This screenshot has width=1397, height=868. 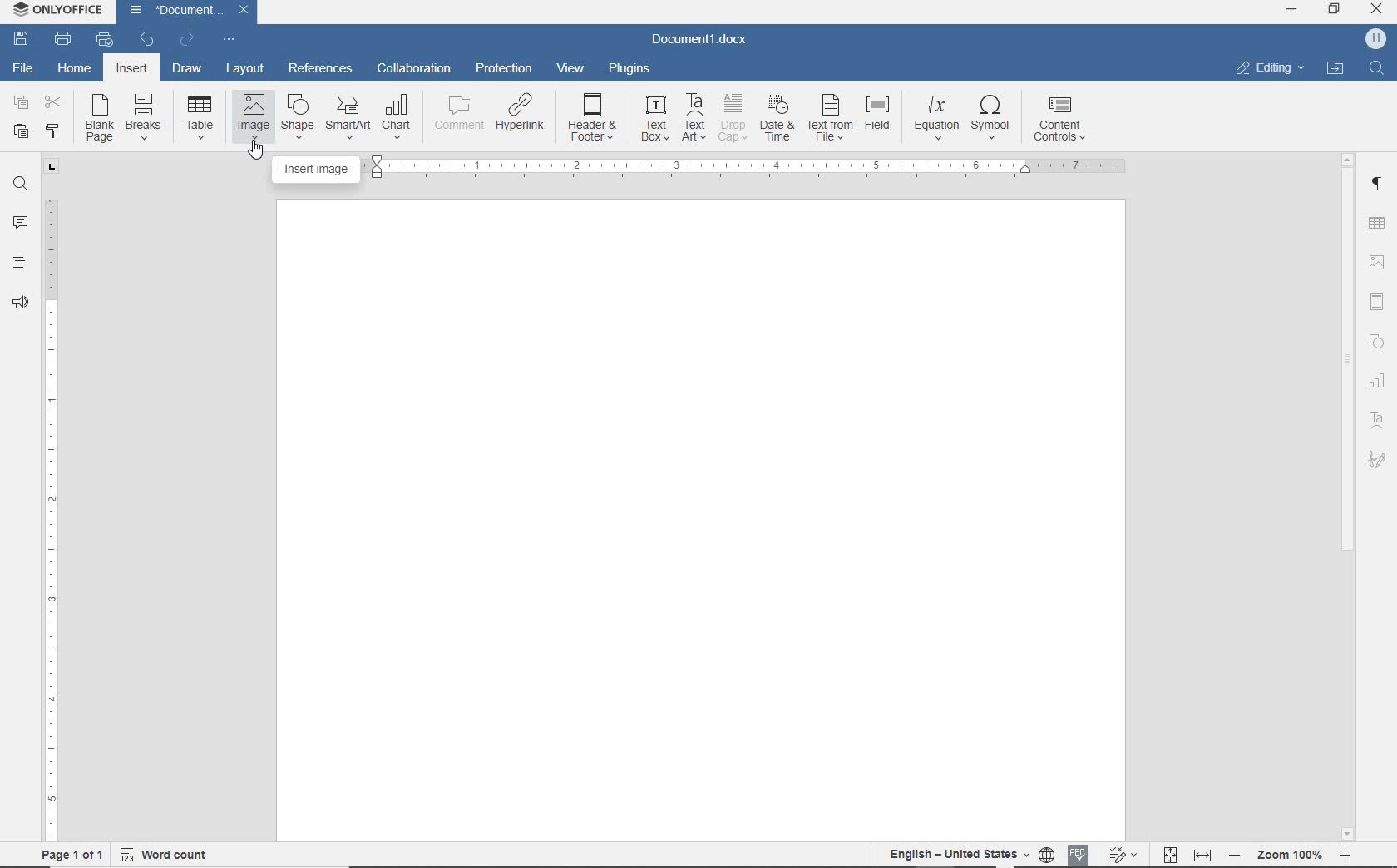 I want to click on plugins, so click(x=630, y=72).